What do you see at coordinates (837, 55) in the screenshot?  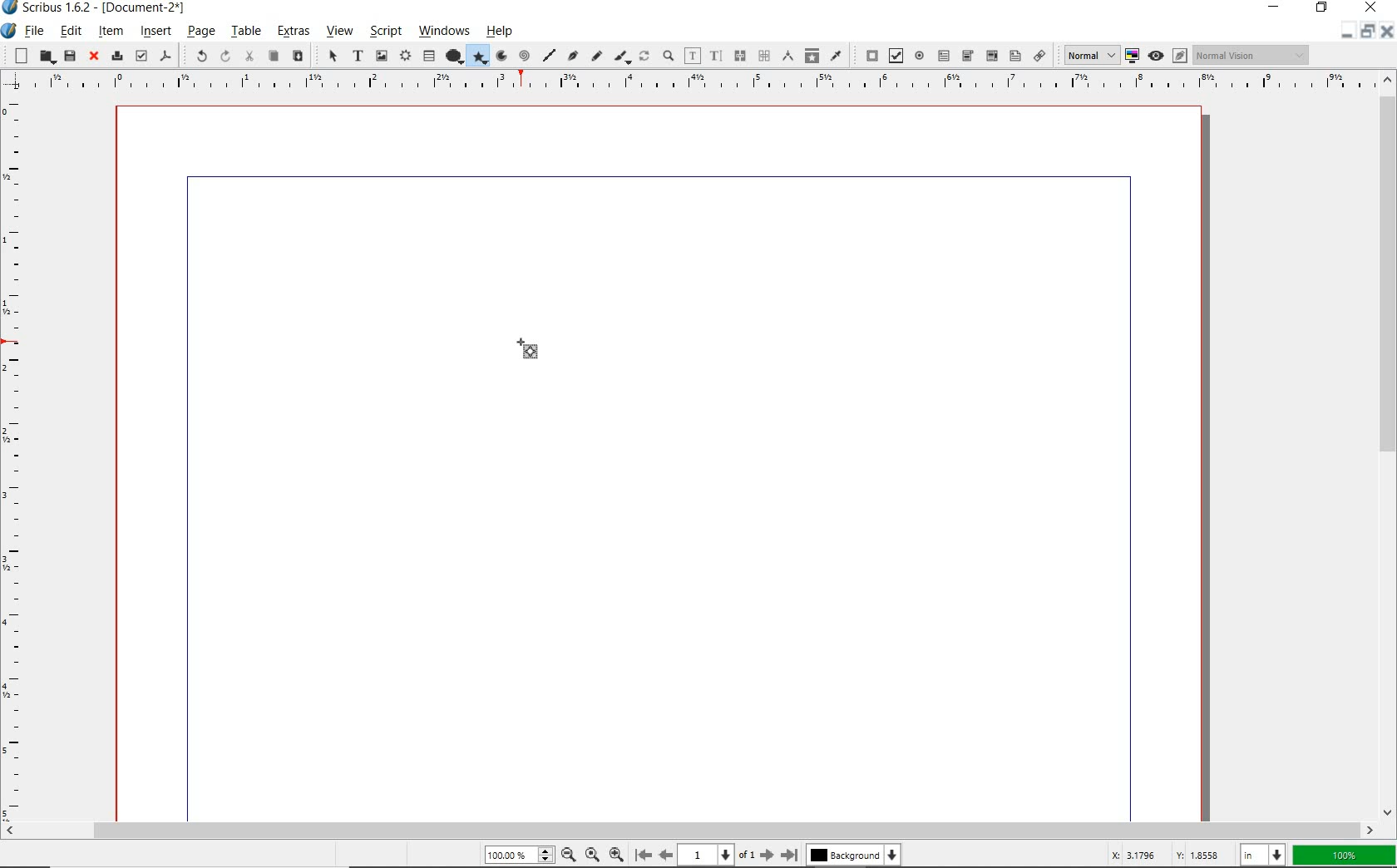 I see `eye dropper` at bounding box center [837, 55].